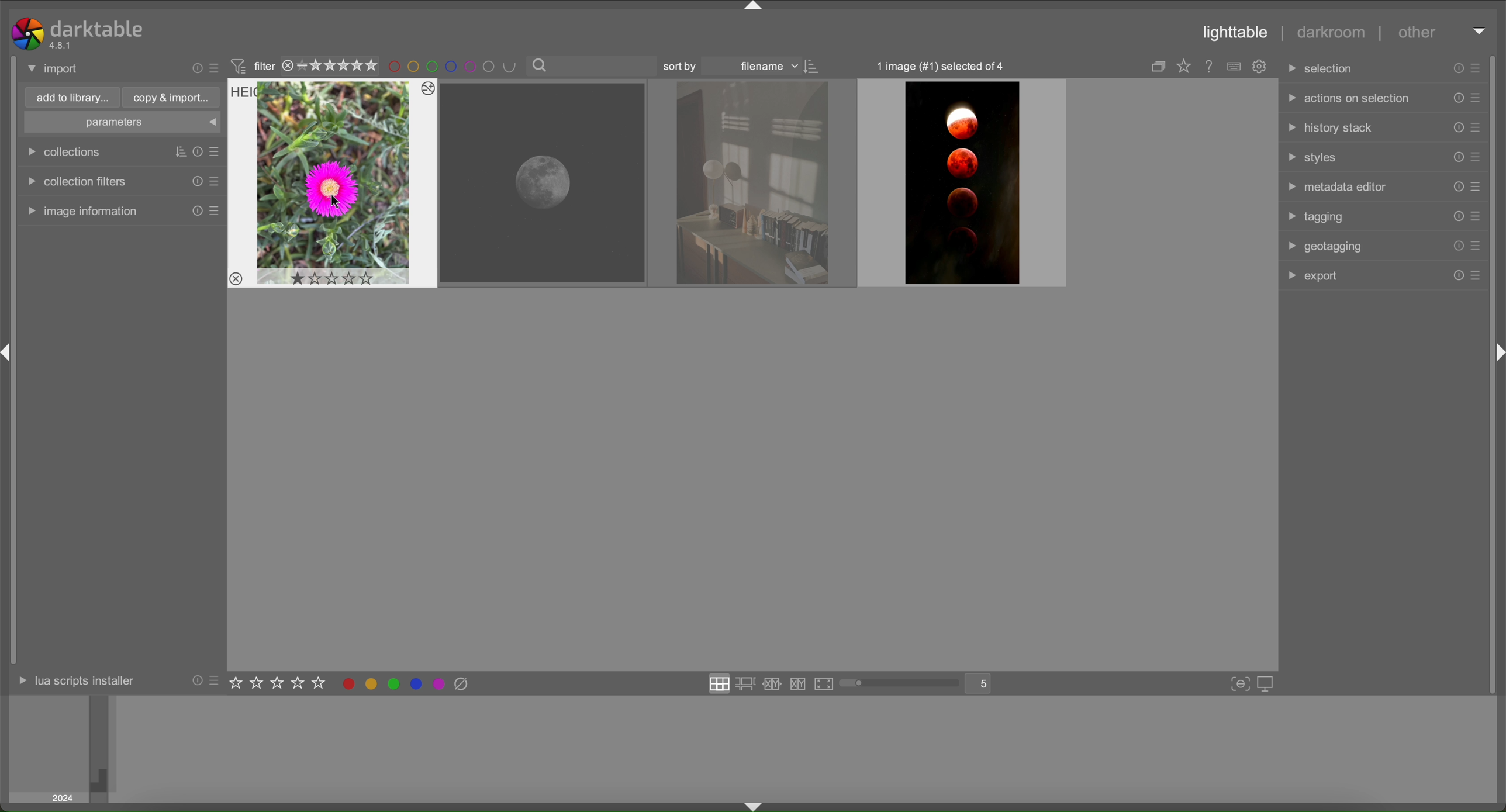 The image size is (1506, 812). Describe the element at coordinates (899, 685) in the screenshot. I see `scroll bar` at that location.